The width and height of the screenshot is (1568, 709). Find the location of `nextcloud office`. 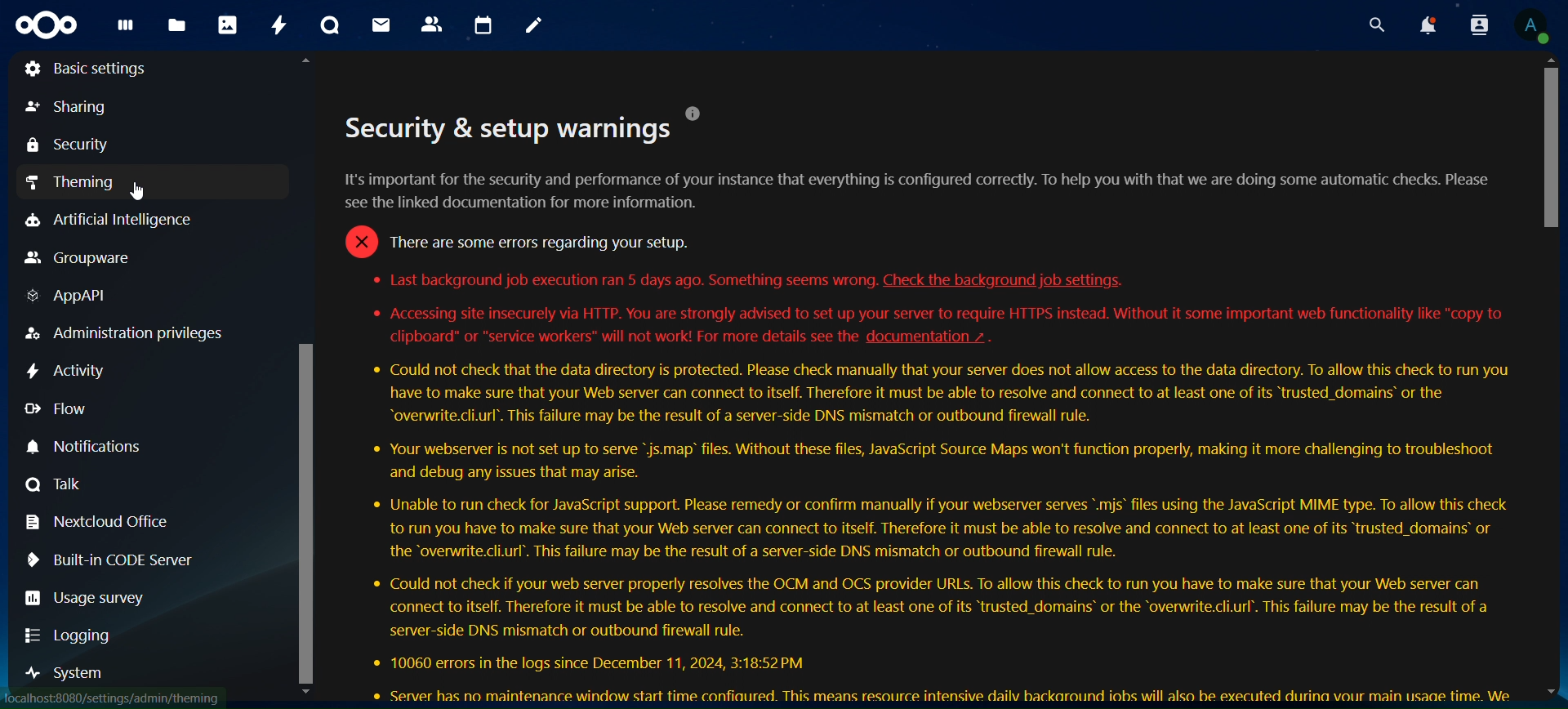

nextcloud office is located at coordinates (110, 522).